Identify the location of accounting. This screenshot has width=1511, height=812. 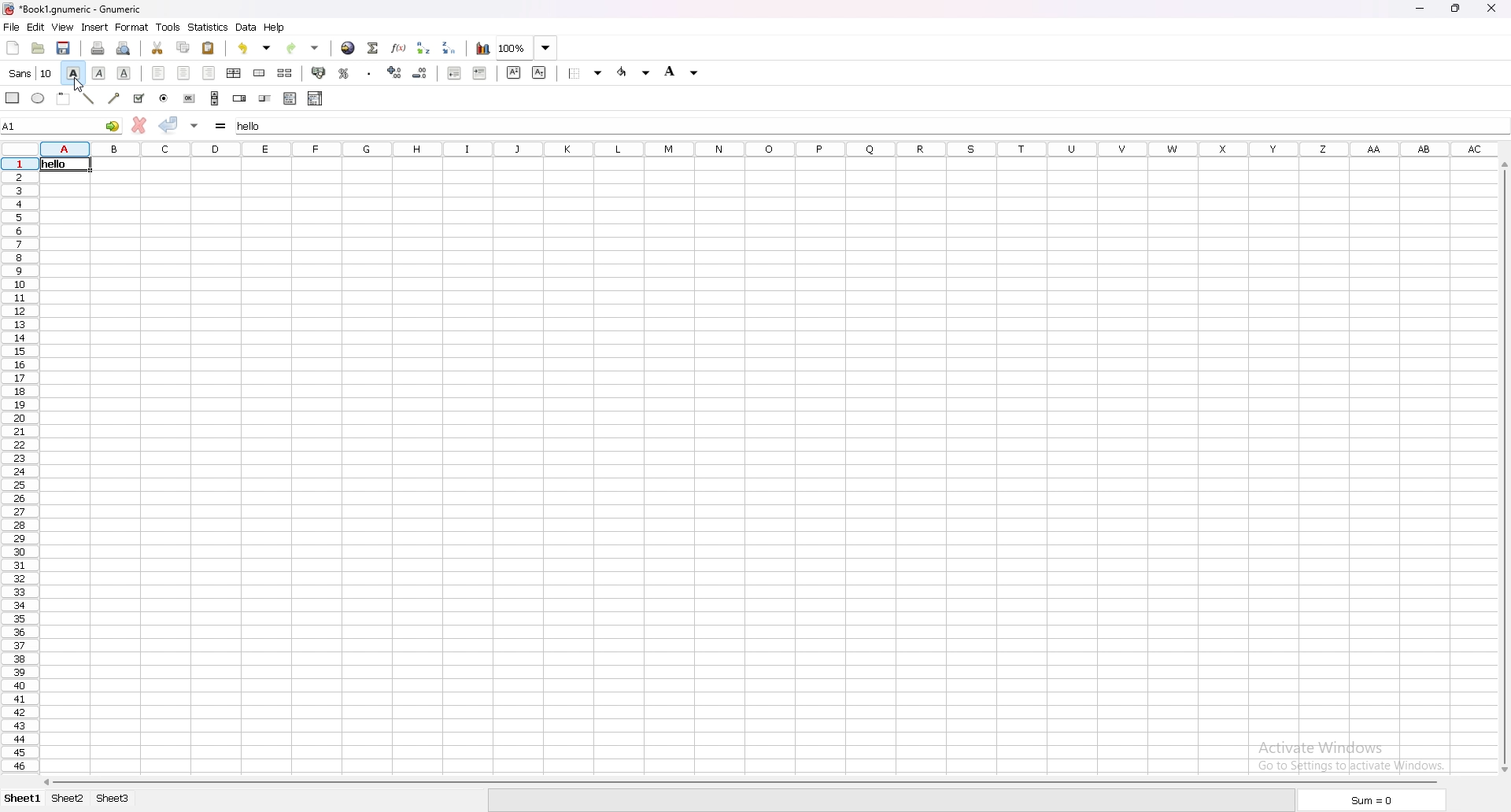
(320, 72).